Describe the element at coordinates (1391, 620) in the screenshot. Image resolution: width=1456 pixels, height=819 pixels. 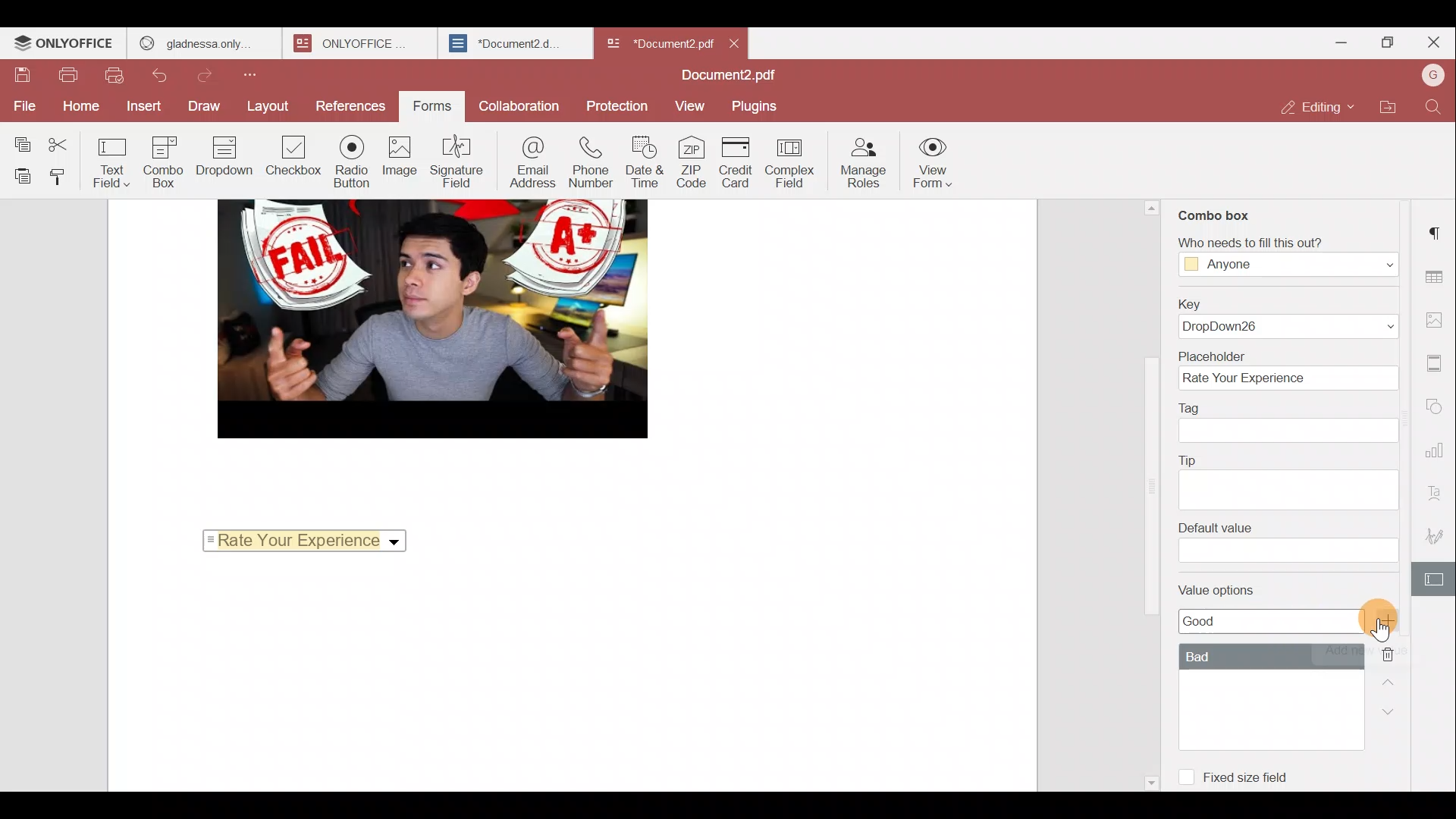
I see `Add value` at that location.